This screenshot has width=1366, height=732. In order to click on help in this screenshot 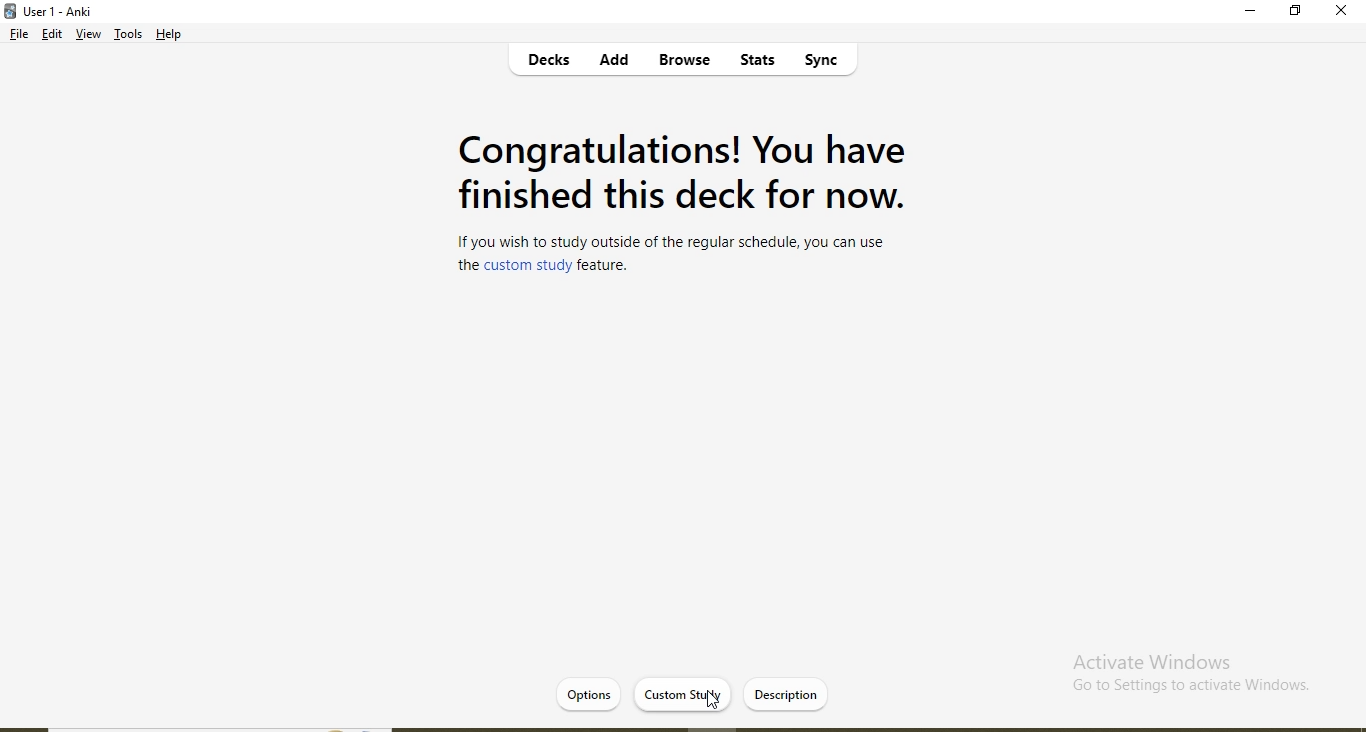, I will do `click(171, 34)`.